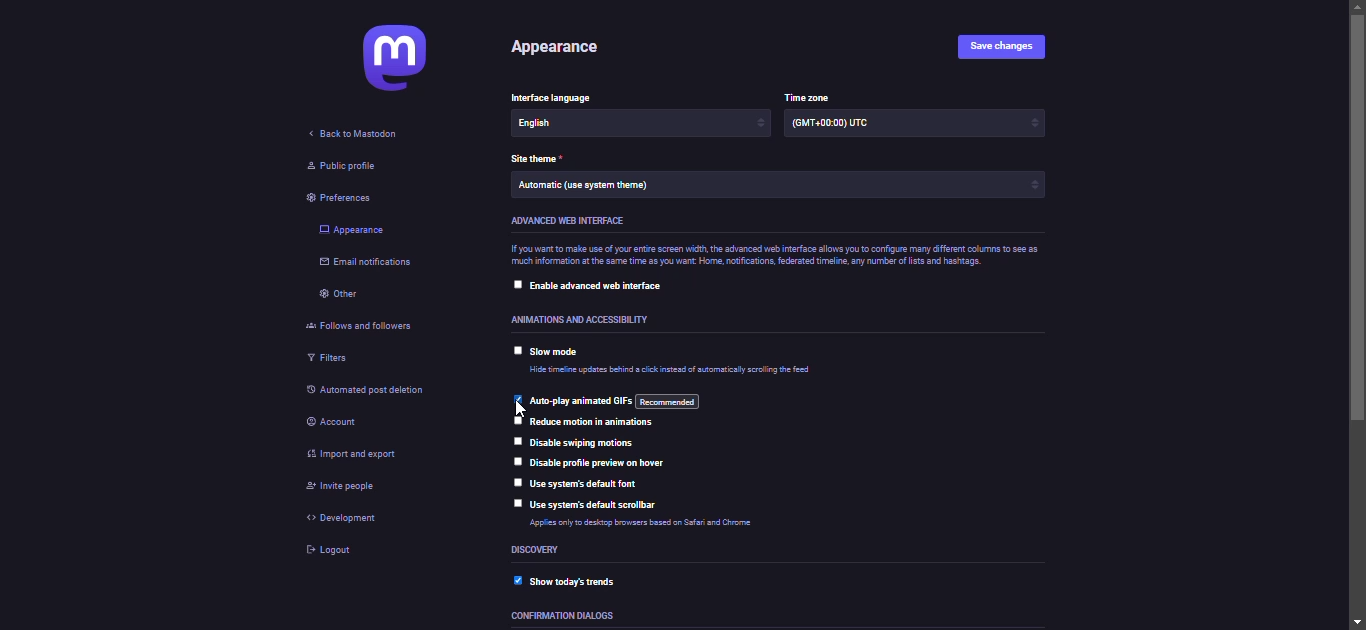 This screenshot has width=1366, height=630. What do you see at coordinates (588, 320) in the screenshot?
I see `accessibility` at bounding box center [588, 320].